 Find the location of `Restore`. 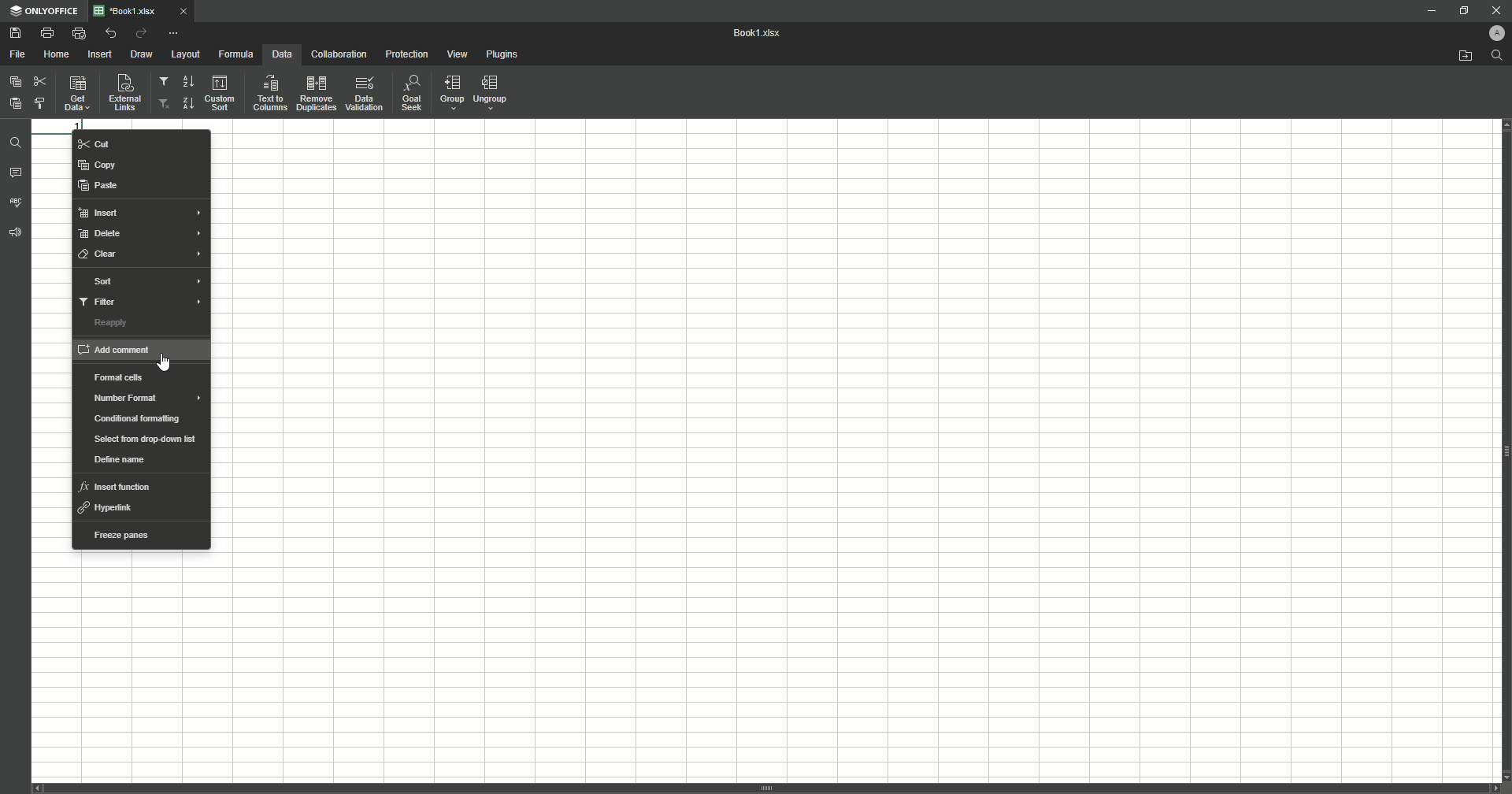

Restore is located at coordinates (1462, 10).